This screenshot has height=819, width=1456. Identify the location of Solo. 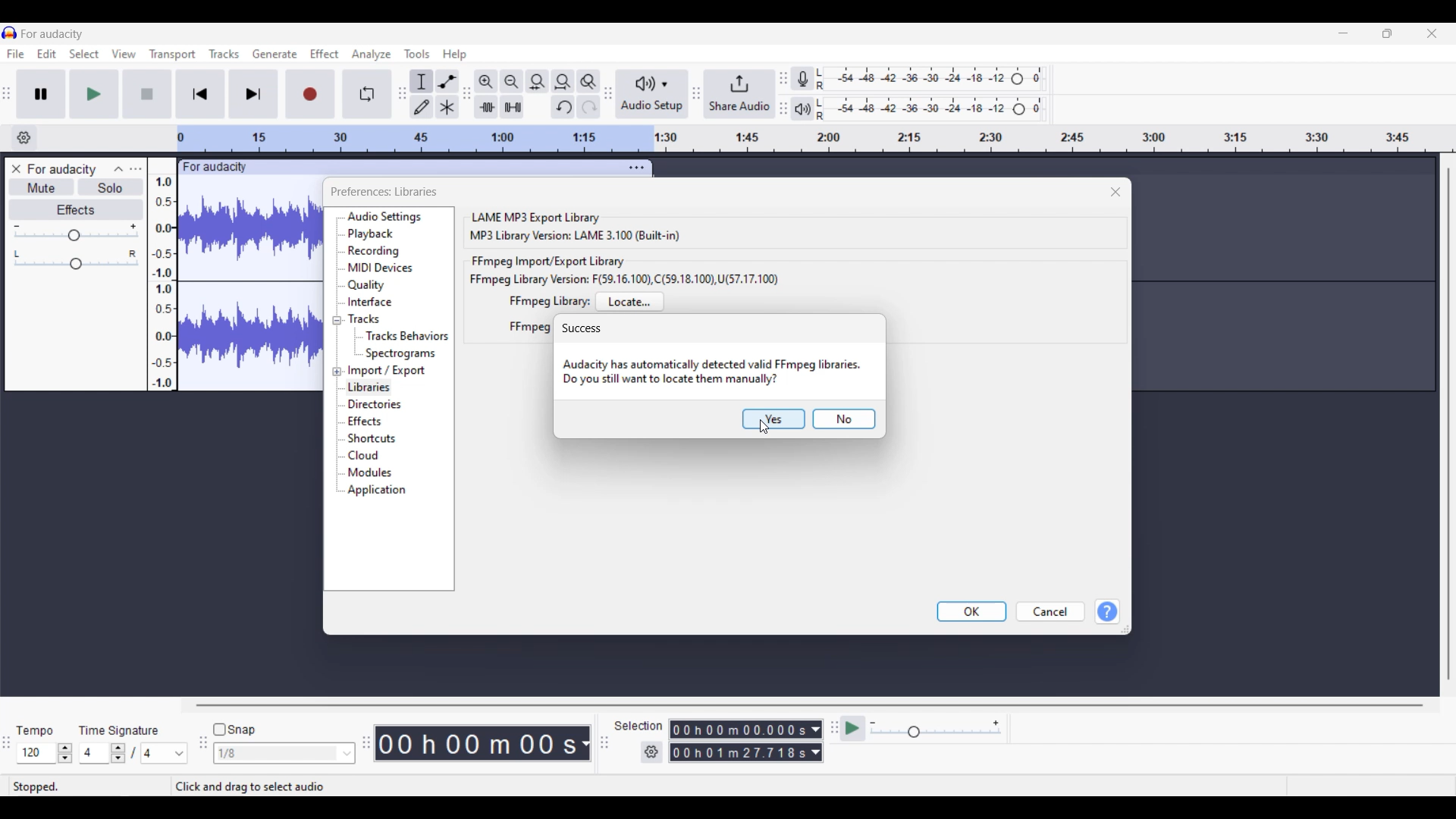
(111, 187).